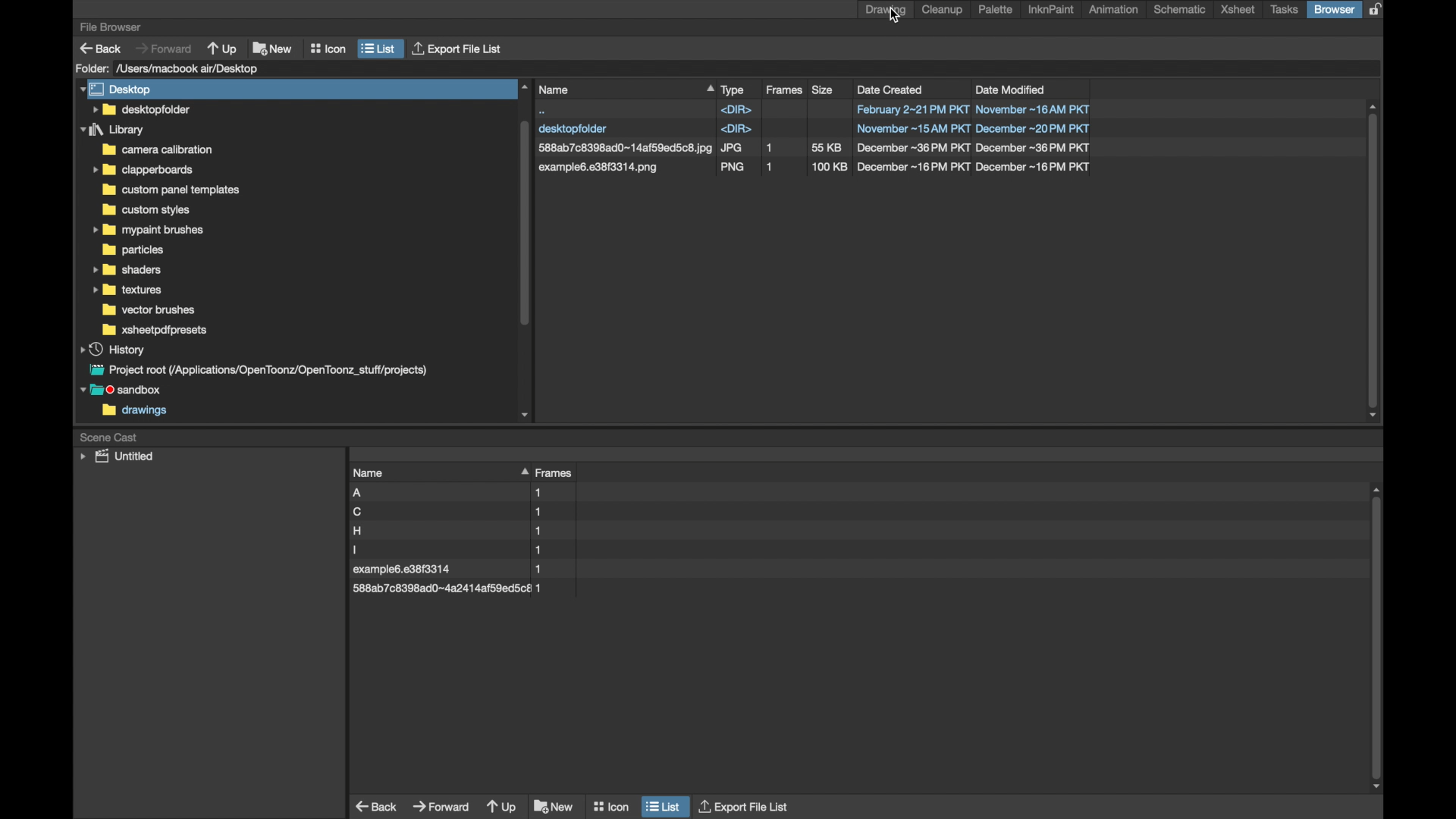  Describe the element at coordinates (886, 10) in the screenshot. I see `drawing` at that location.